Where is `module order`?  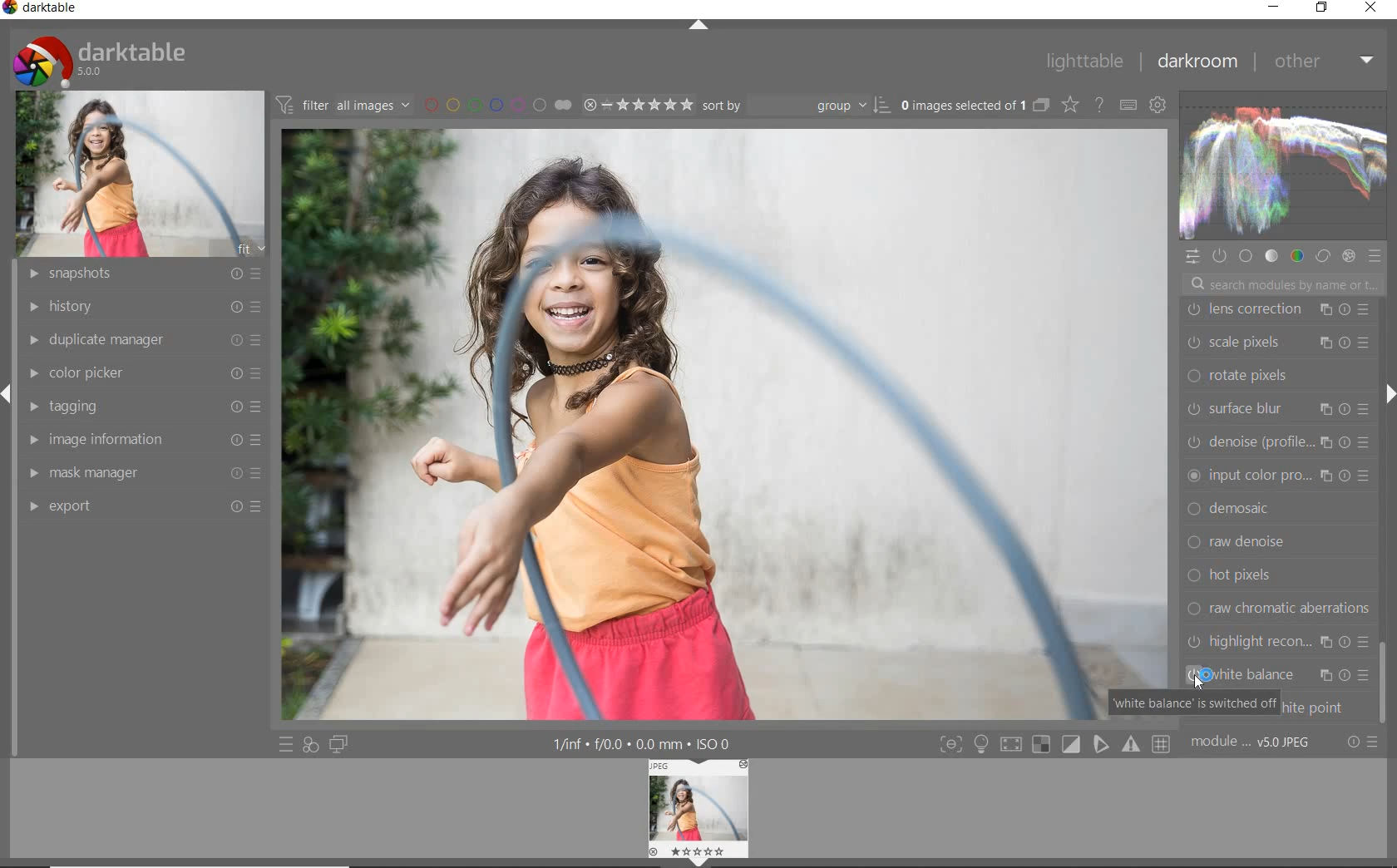
module order is located at coordinates (1253, 743).